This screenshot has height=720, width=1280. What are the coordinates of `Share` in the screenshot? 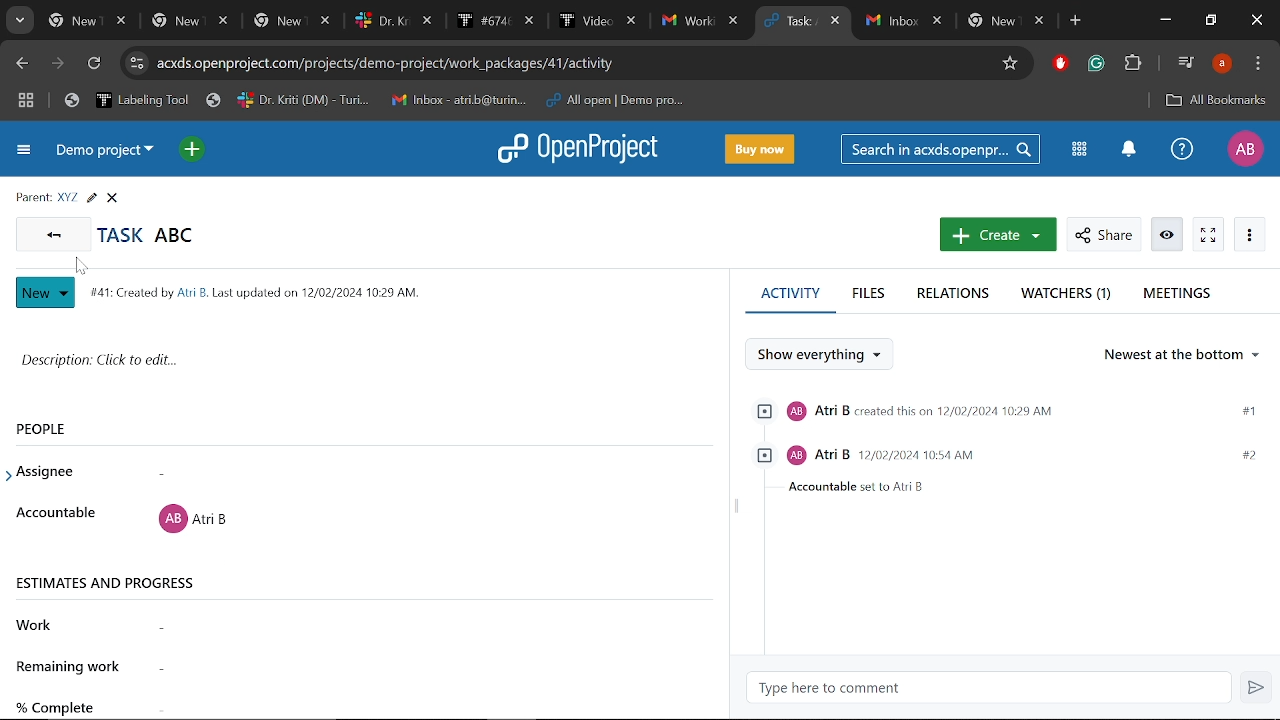 It's located at (1103, 235).